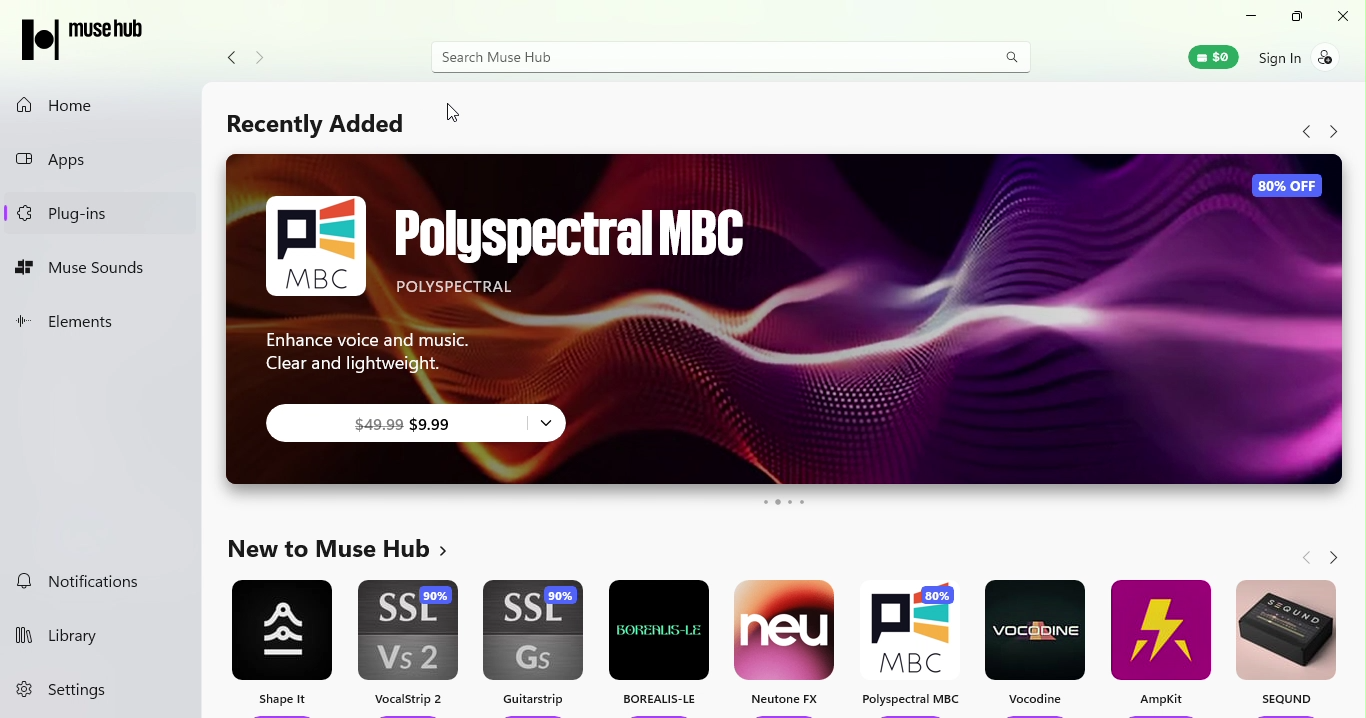 This screenshot has height=718, width=1366. Describe the element at coordinates (785, 647) in the screenshot. I see `Neutone FX` at that location.